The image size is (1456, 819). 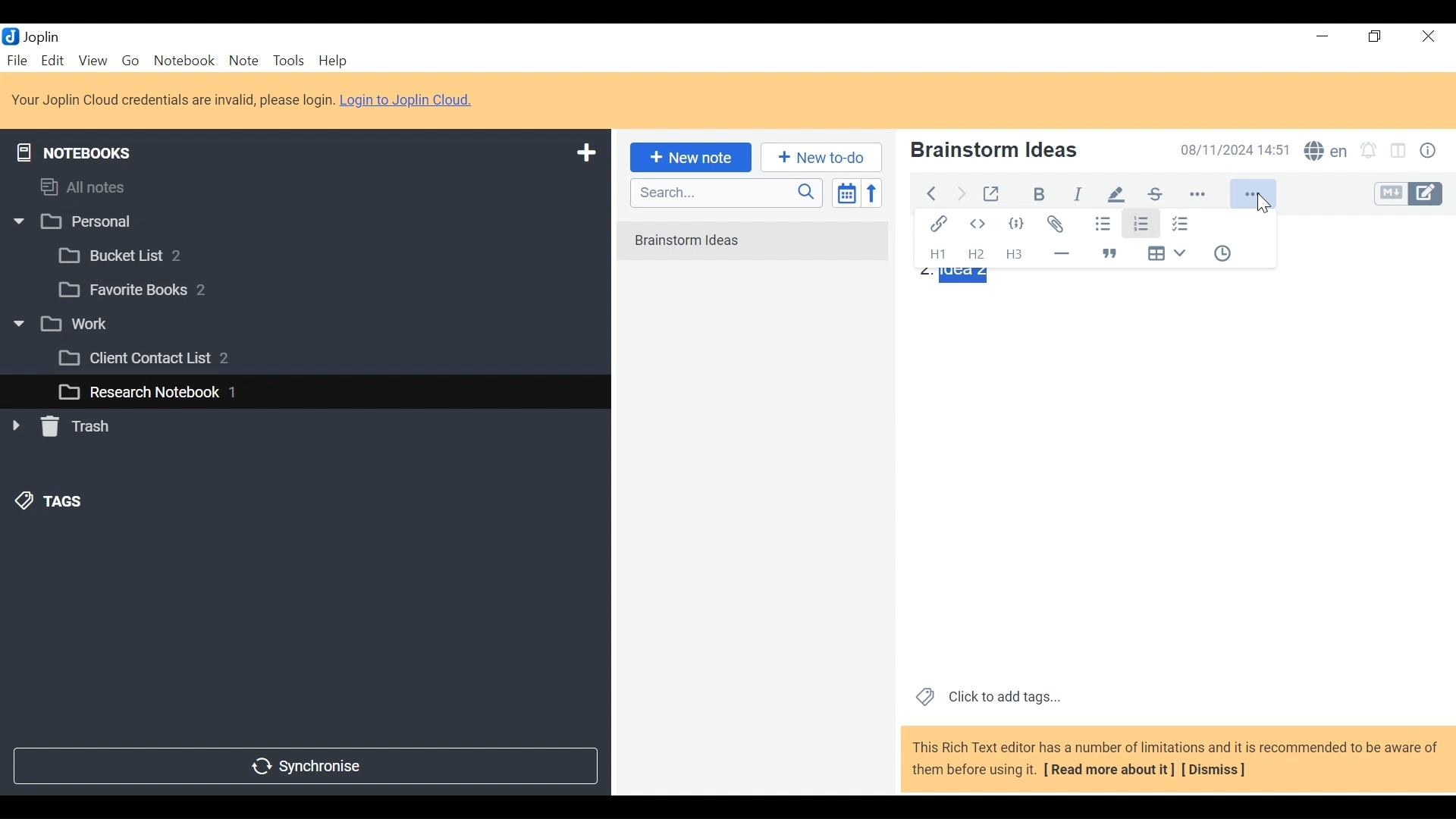 What do you see at coordinates (940, 224) in the screenshot?
I see `Insert/Edit Link` at bounding box center [940, 224].